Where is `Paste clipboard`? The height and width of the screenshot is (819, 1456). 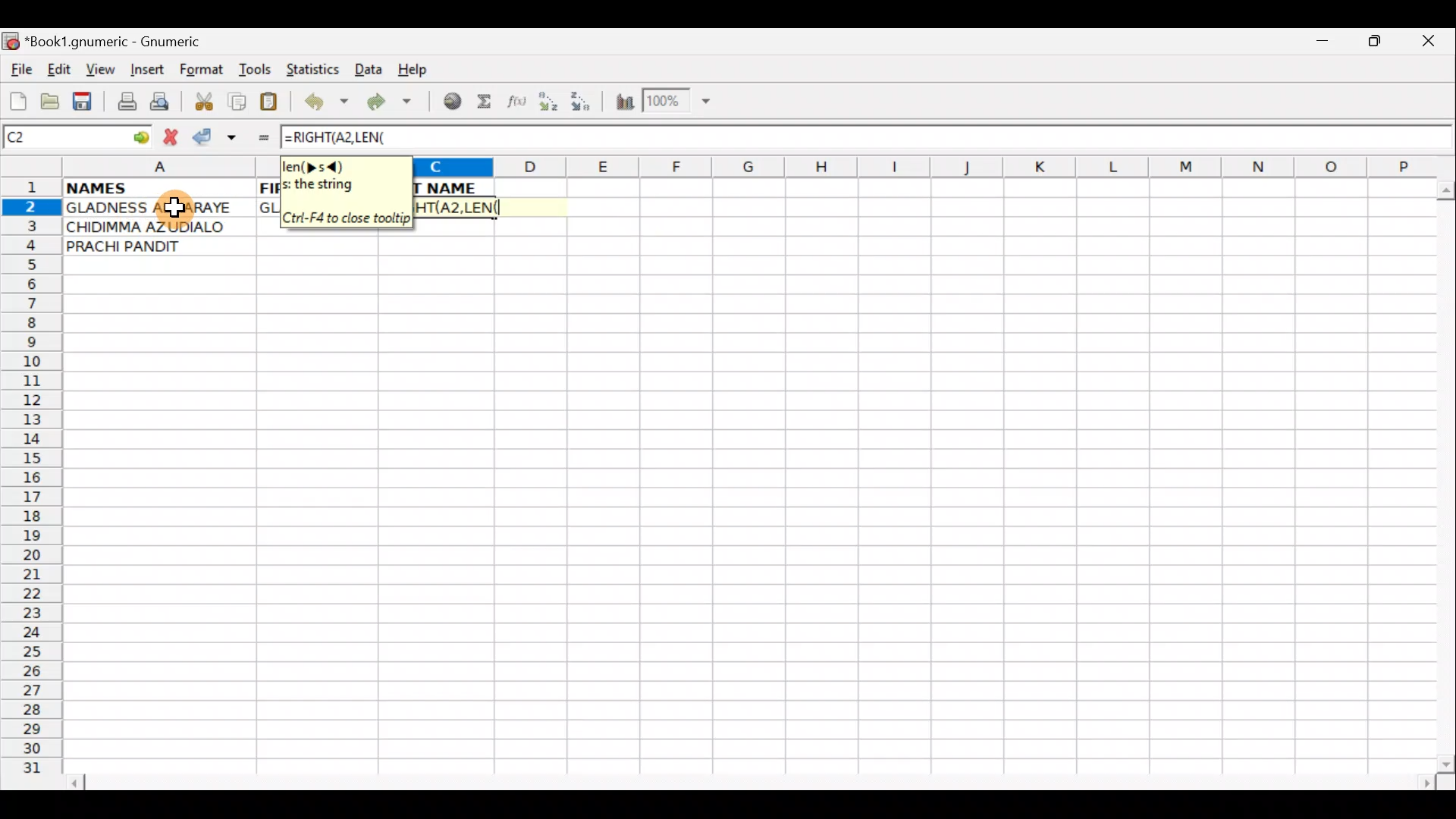 Paste clipboard is located at coordinates (274, 104).